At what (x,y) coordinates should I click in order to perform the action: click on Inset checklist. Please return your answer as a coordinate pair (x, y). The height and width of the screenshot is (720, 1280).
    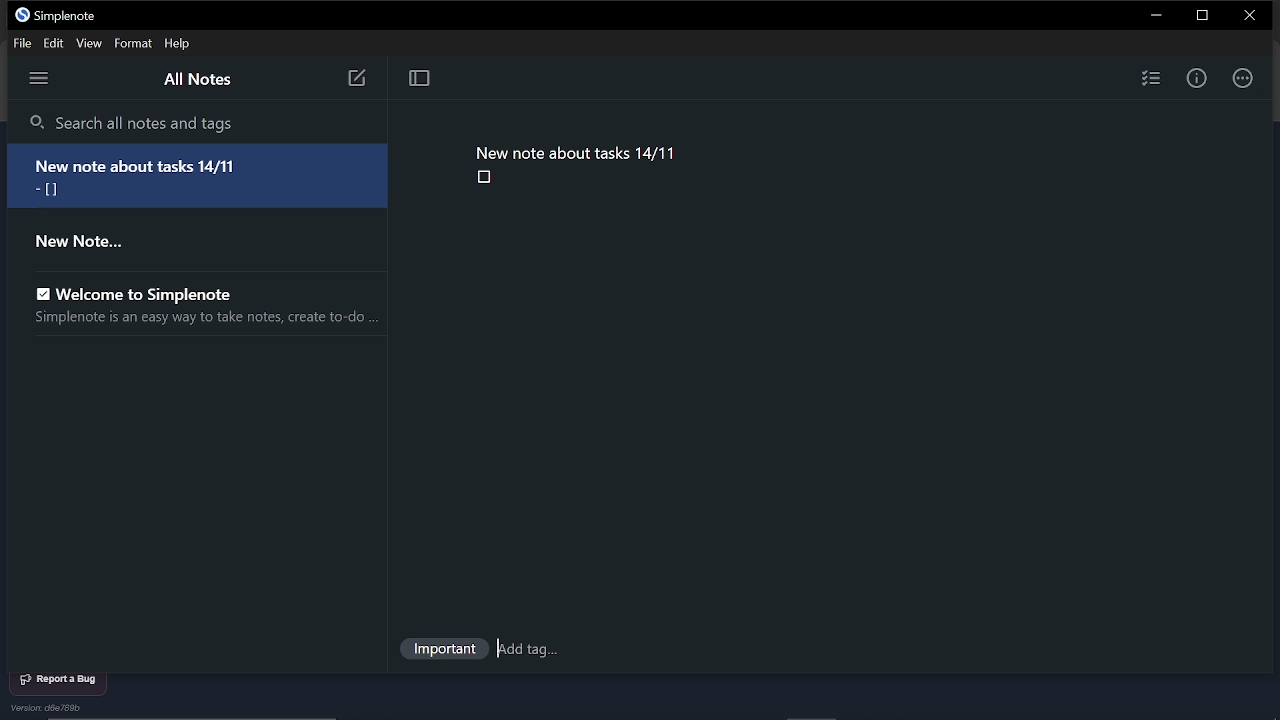
    Looking at the image, I should click on (1150, 79).